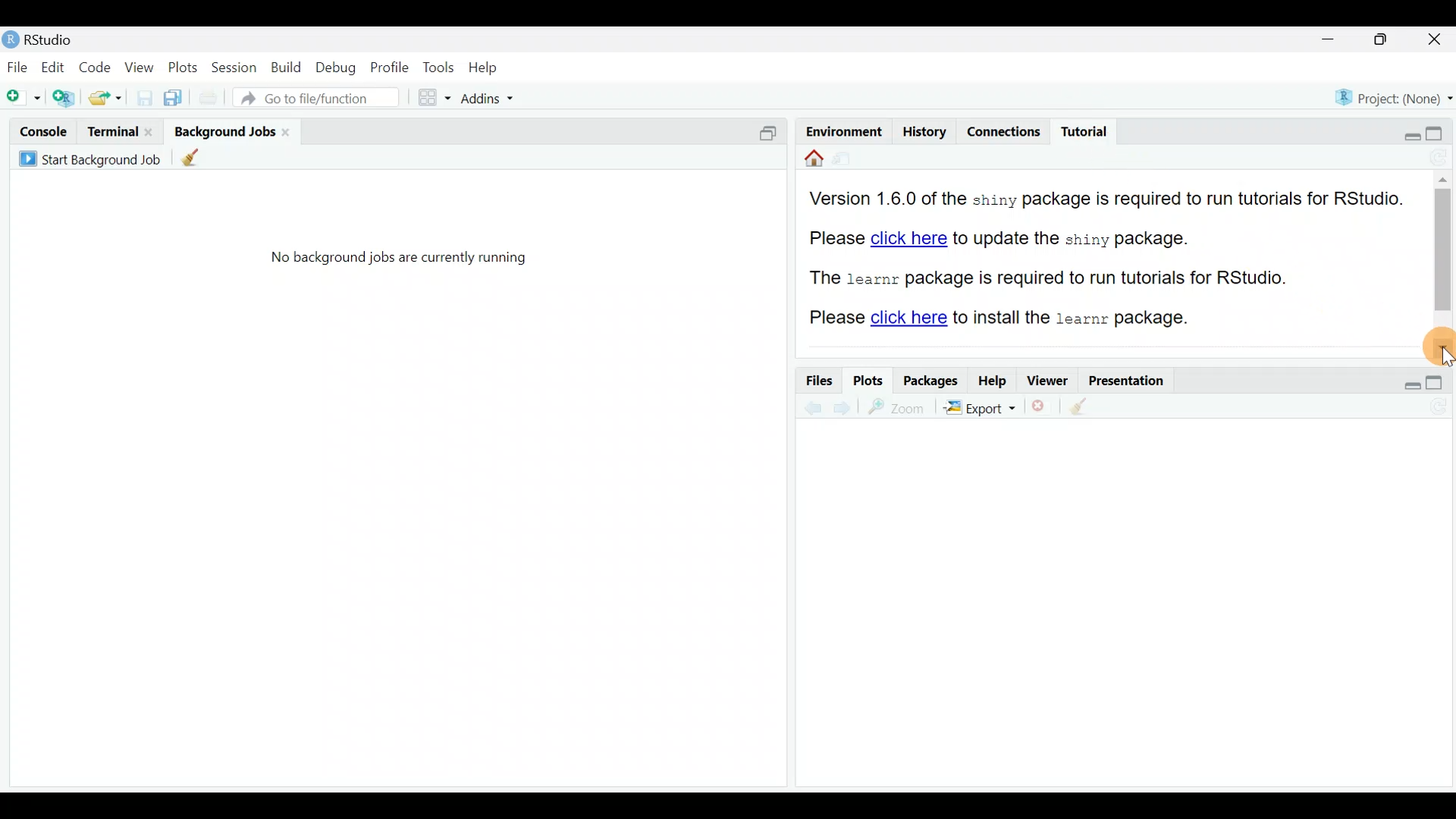 Image resolution: width=1456 pixels, height=819 pixels. What do you see at coordinates (285, 72) in the screenshot?
I see `Build` at bounding box center [285, 72].